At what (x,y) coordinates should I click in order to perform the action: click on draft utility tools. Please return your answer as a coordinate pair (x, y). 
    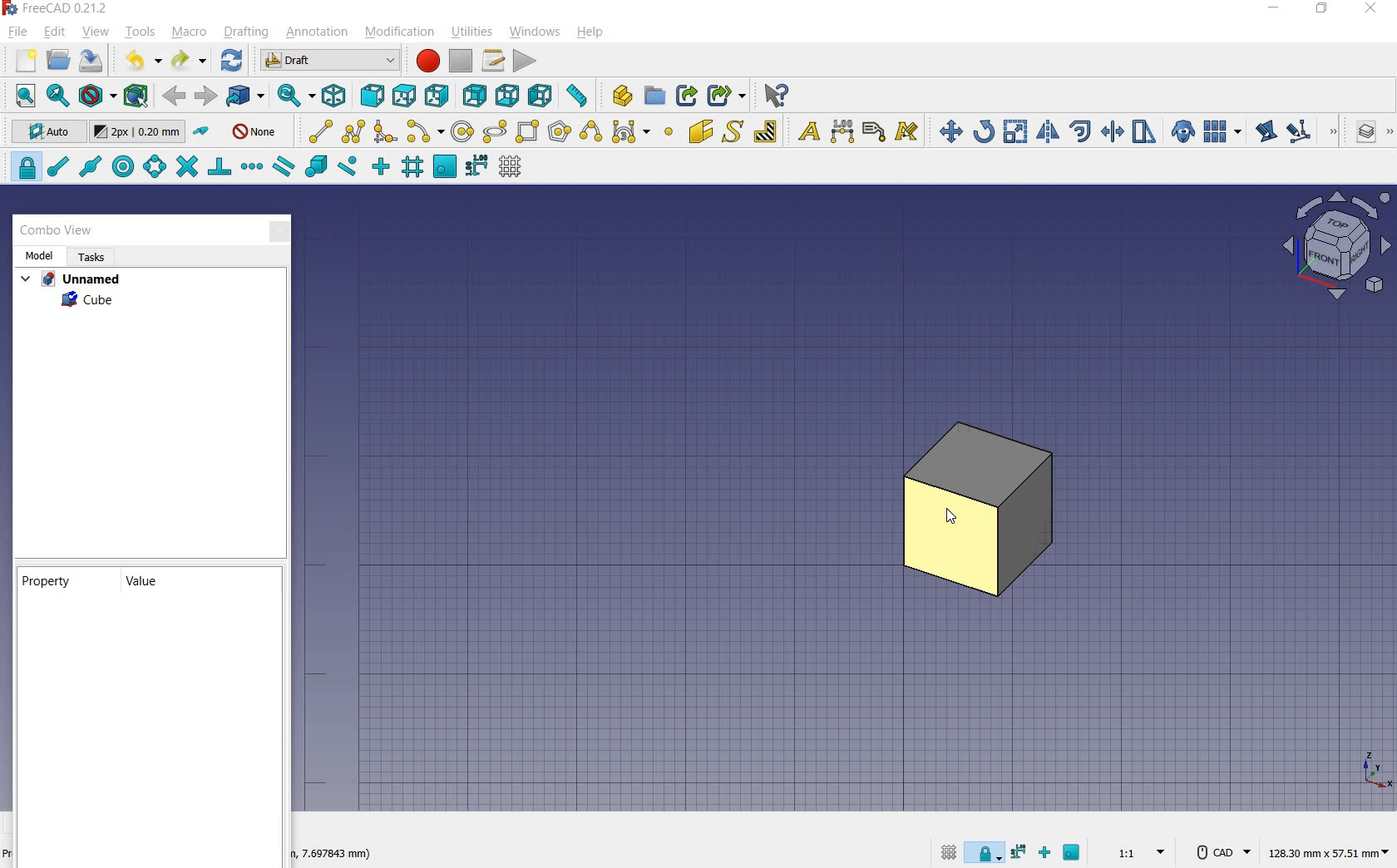
    Looking at the image, I should click on (1390, 133).